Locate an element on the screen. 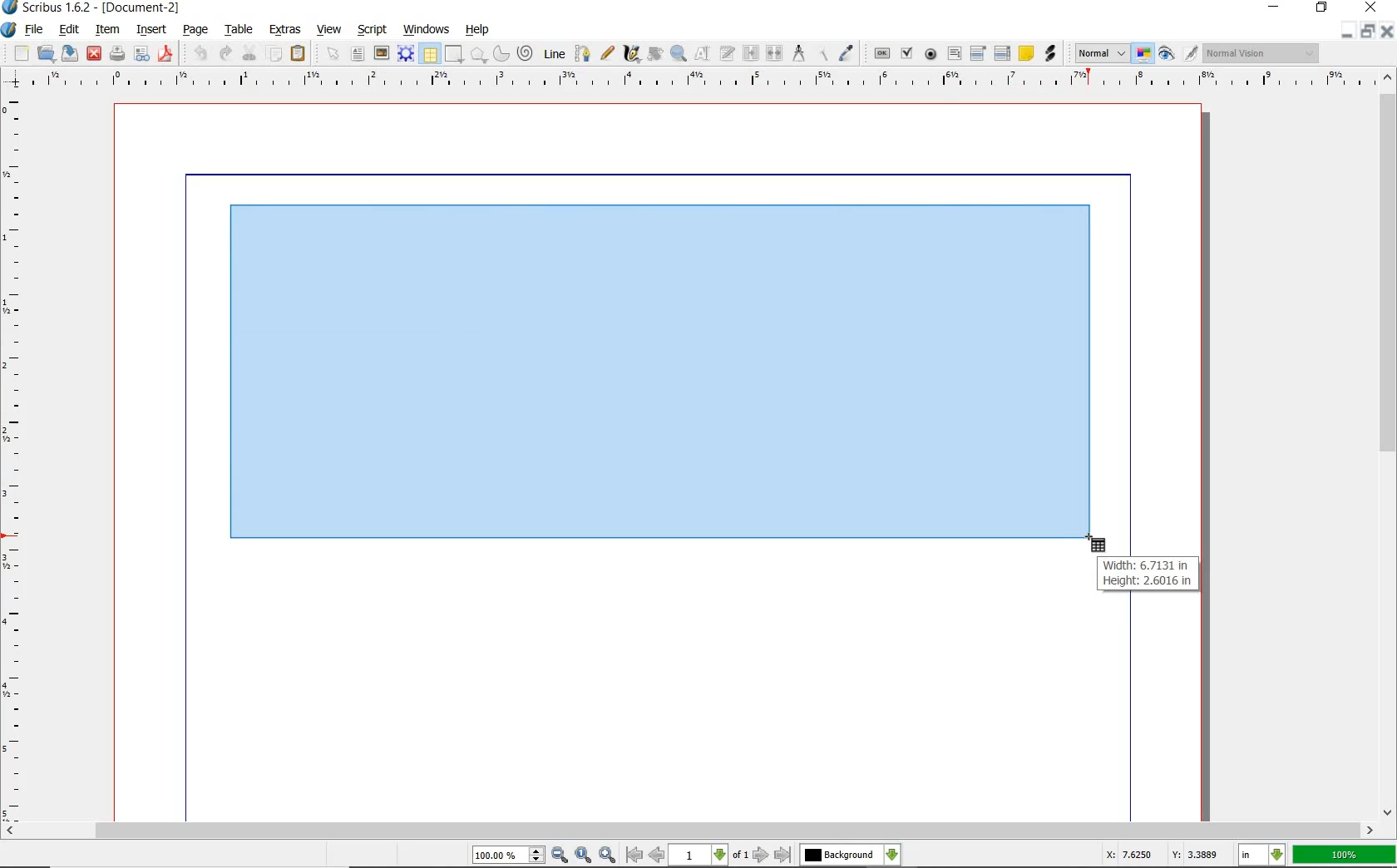 The width and height of the screenshot is (1397, 868). eye dropper is located at coordinates (846, 52).